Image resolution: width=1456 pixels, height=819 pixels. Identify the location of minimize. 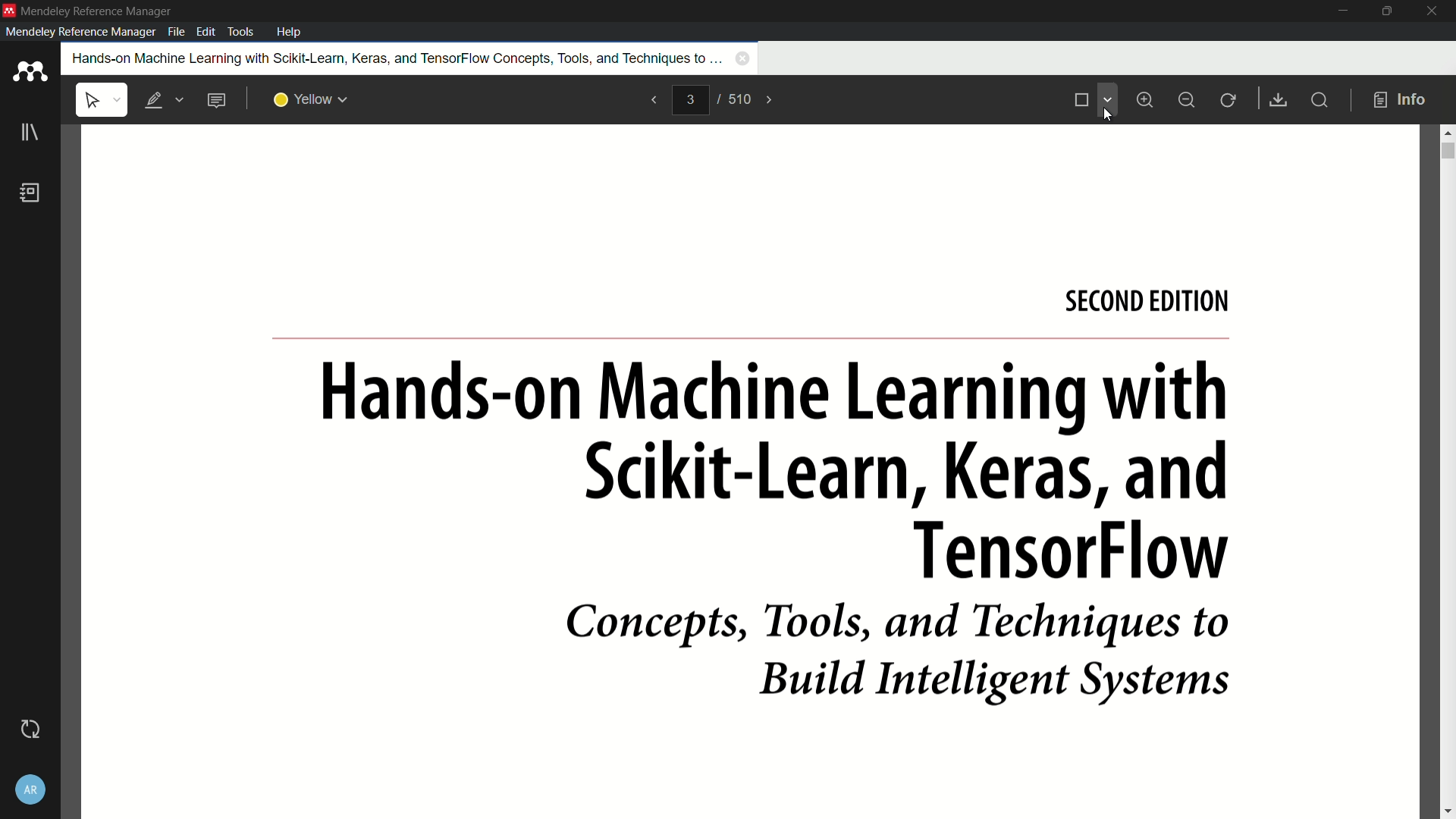
(1341, 11).